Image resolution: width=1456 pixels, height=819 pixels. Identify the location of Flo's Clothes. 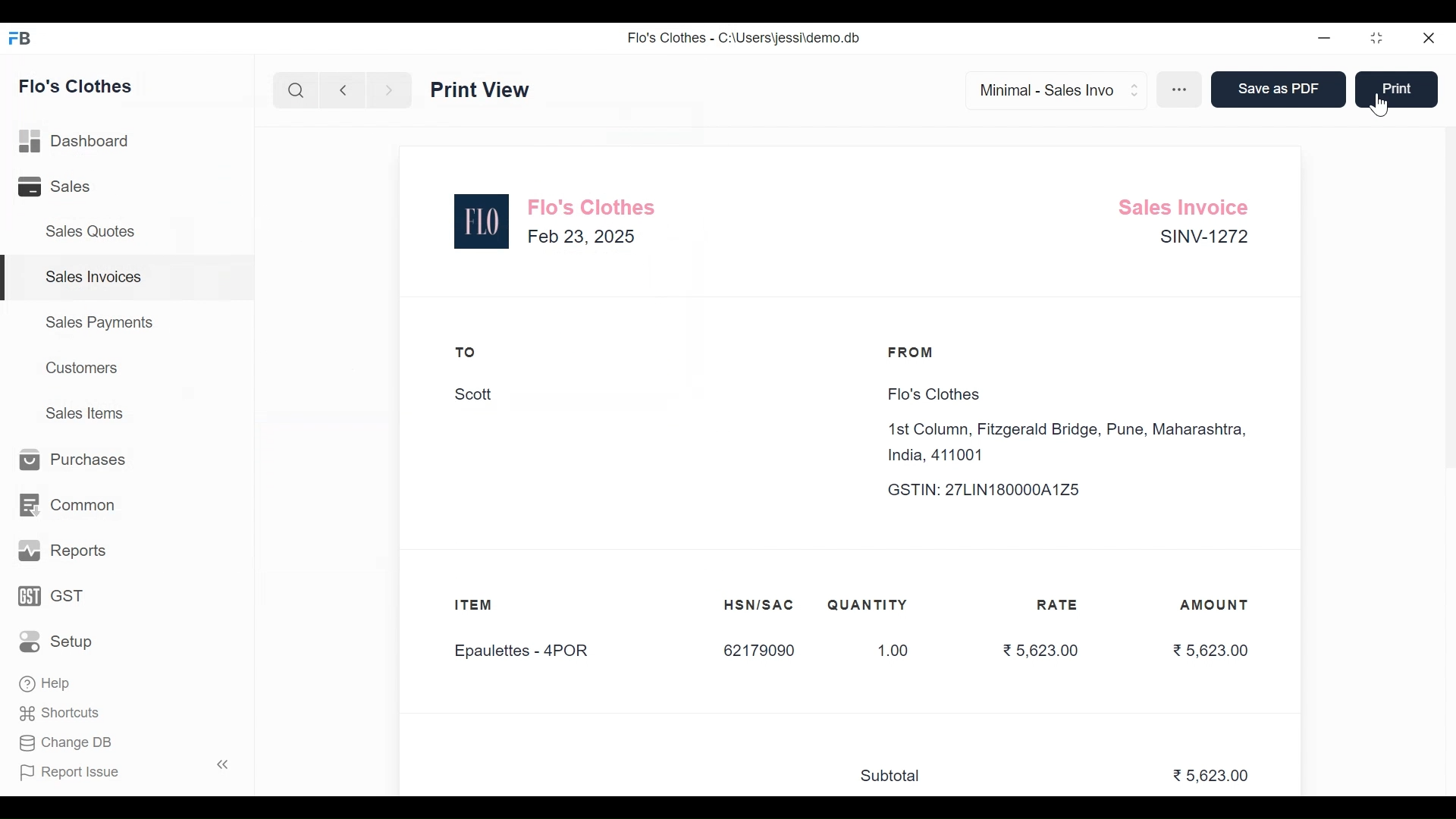
(77, 85).